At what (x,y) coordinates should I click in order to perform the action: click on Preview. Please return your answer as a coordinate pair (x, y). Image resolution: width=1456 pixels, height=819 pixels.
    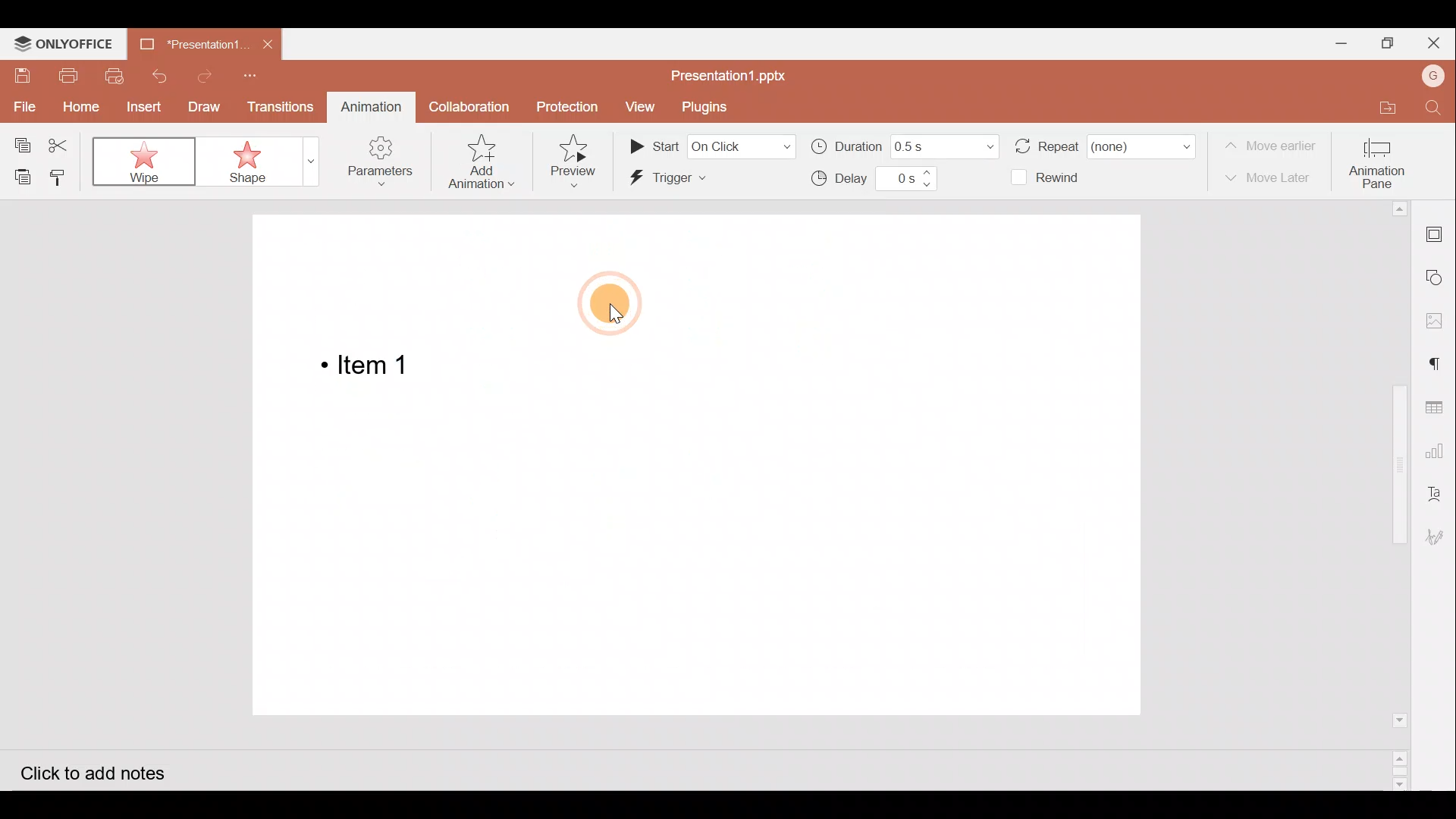
    Looking at the image, I should click on (579, 161).